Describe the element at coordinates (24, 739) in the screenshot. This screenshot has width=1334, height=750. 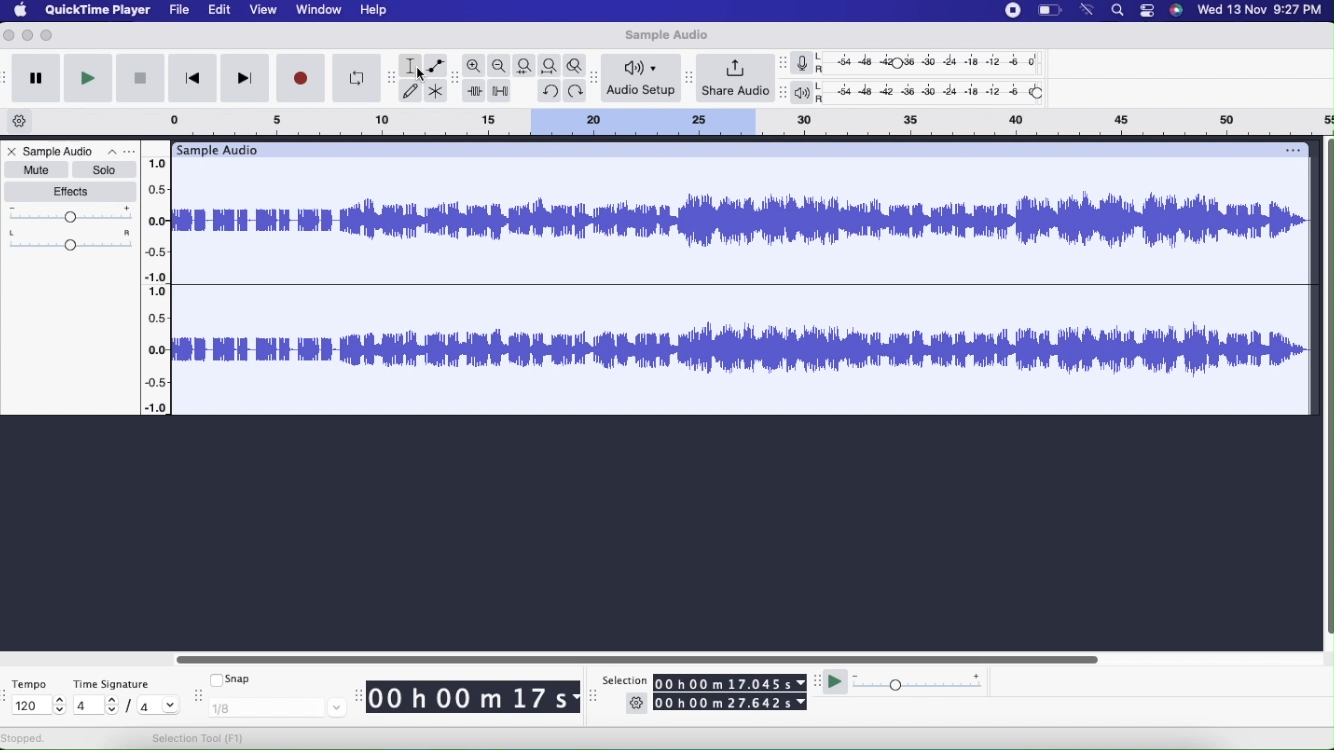
I see `Stopped` at that location.